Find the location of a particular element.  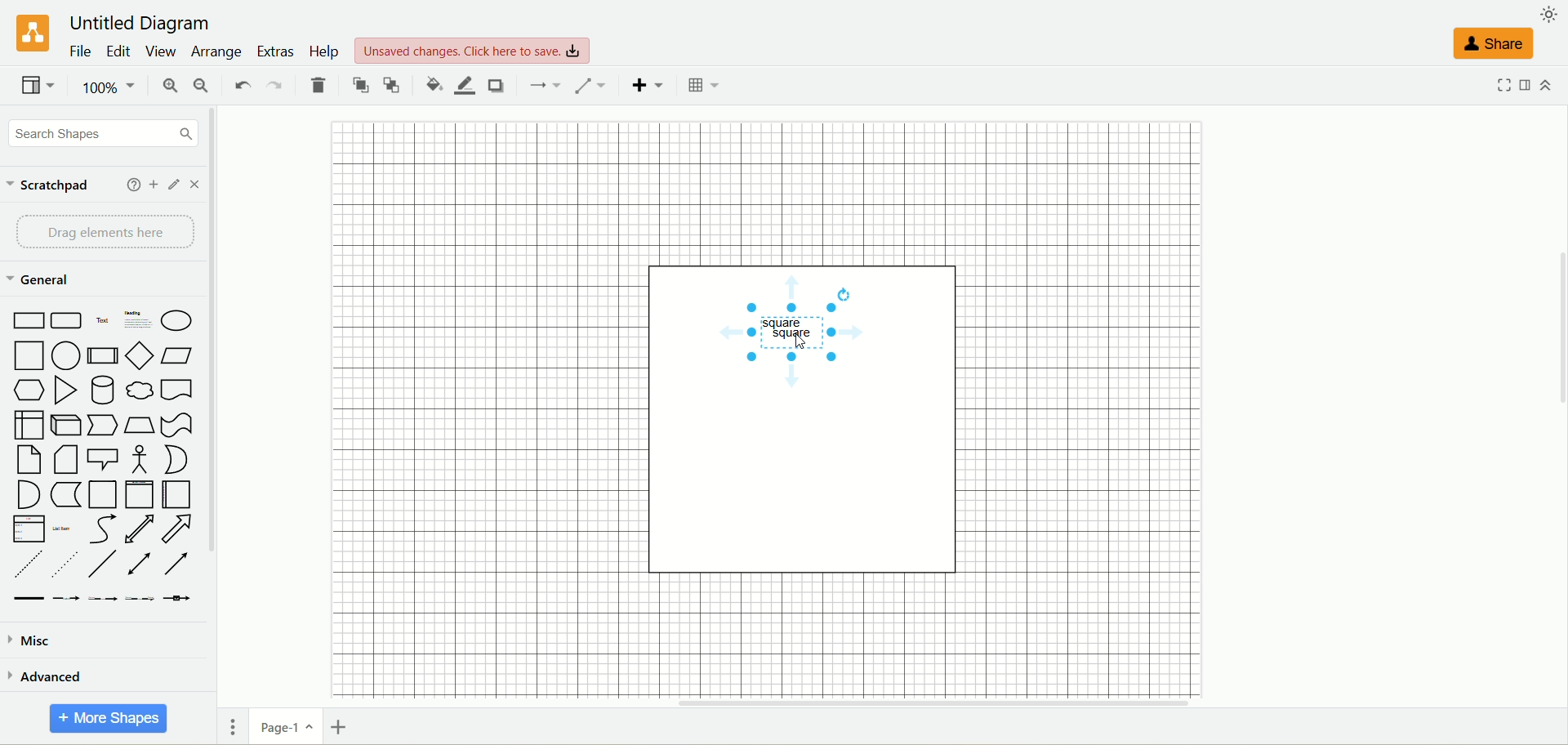

view is located at coordinates (38, 87).